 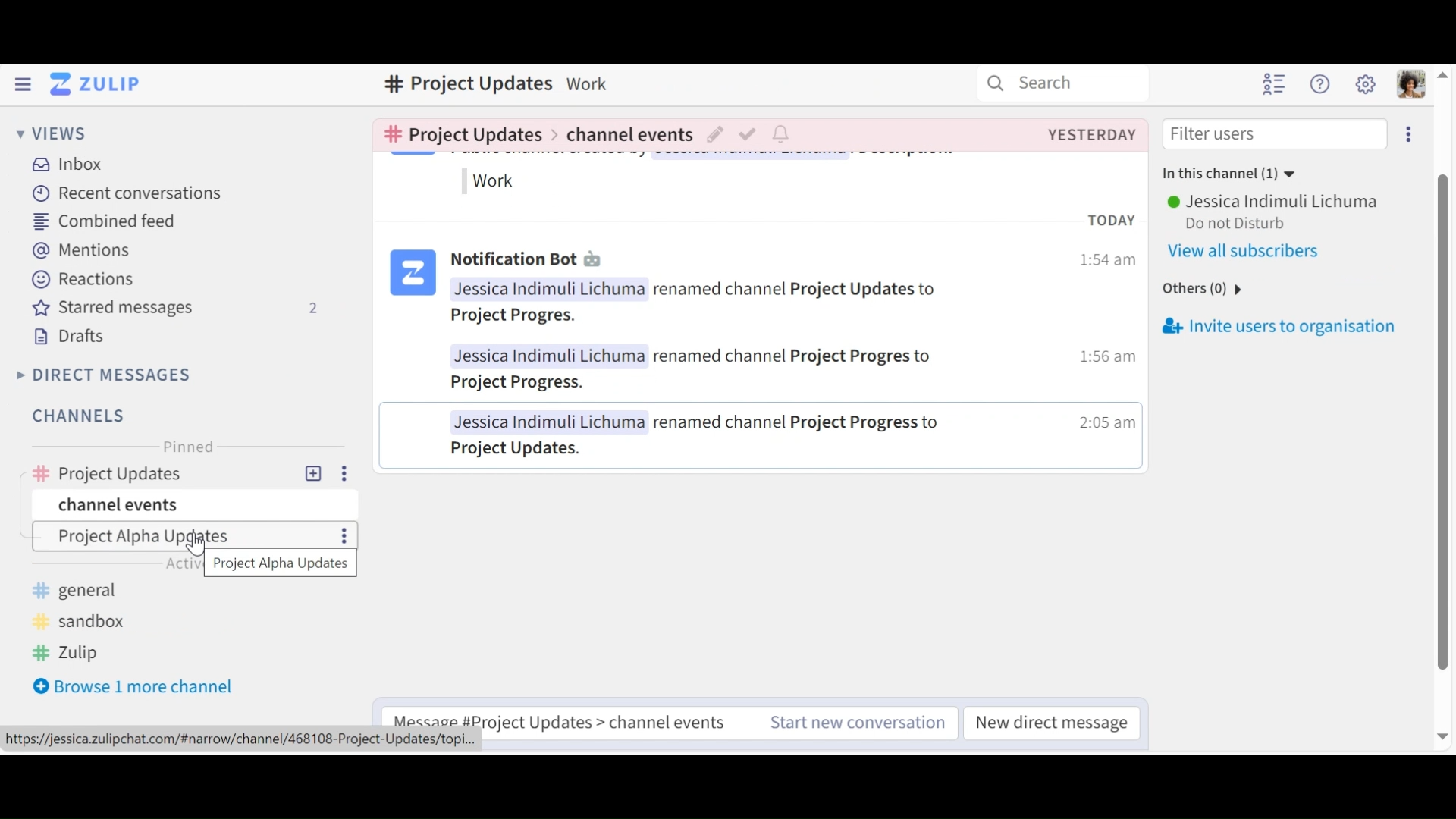 I want to click on logo, so click(x=413, y=275).